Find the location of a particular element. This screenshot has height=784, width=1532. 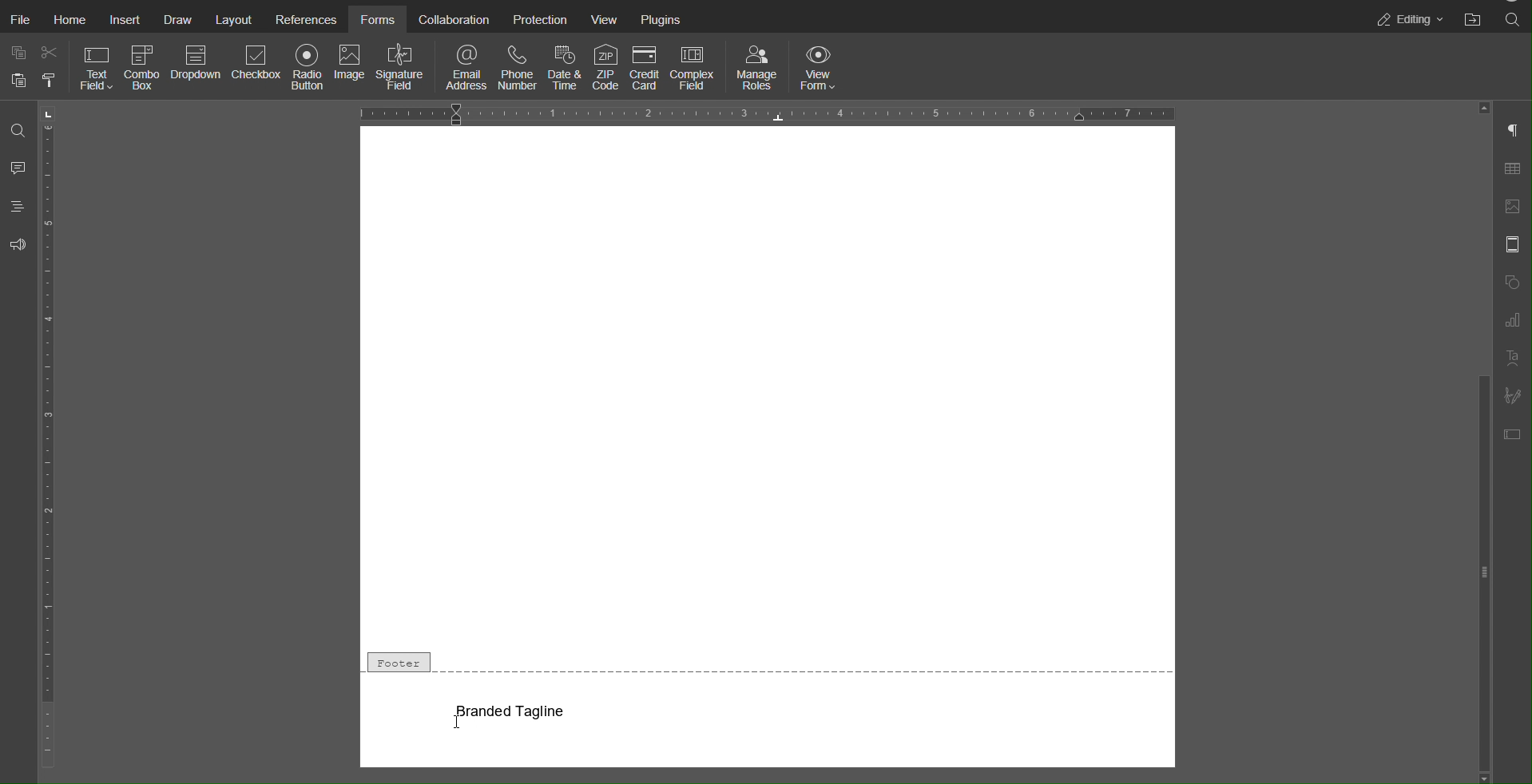

Manage Roles is located at coordinates (757, 67).